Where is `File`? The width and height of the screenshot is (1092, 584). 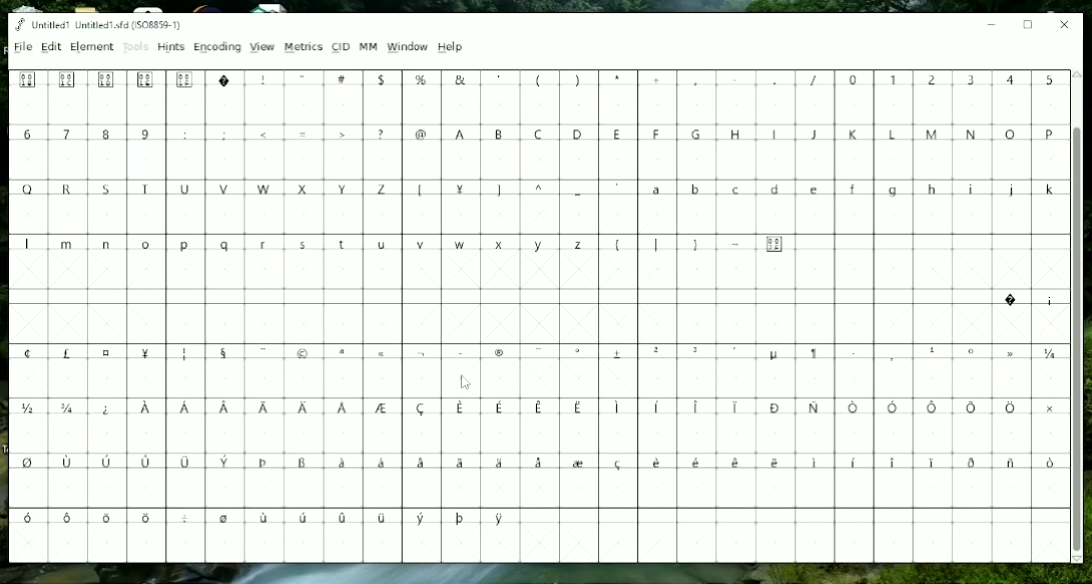
File is located at coordinates (22, 46).